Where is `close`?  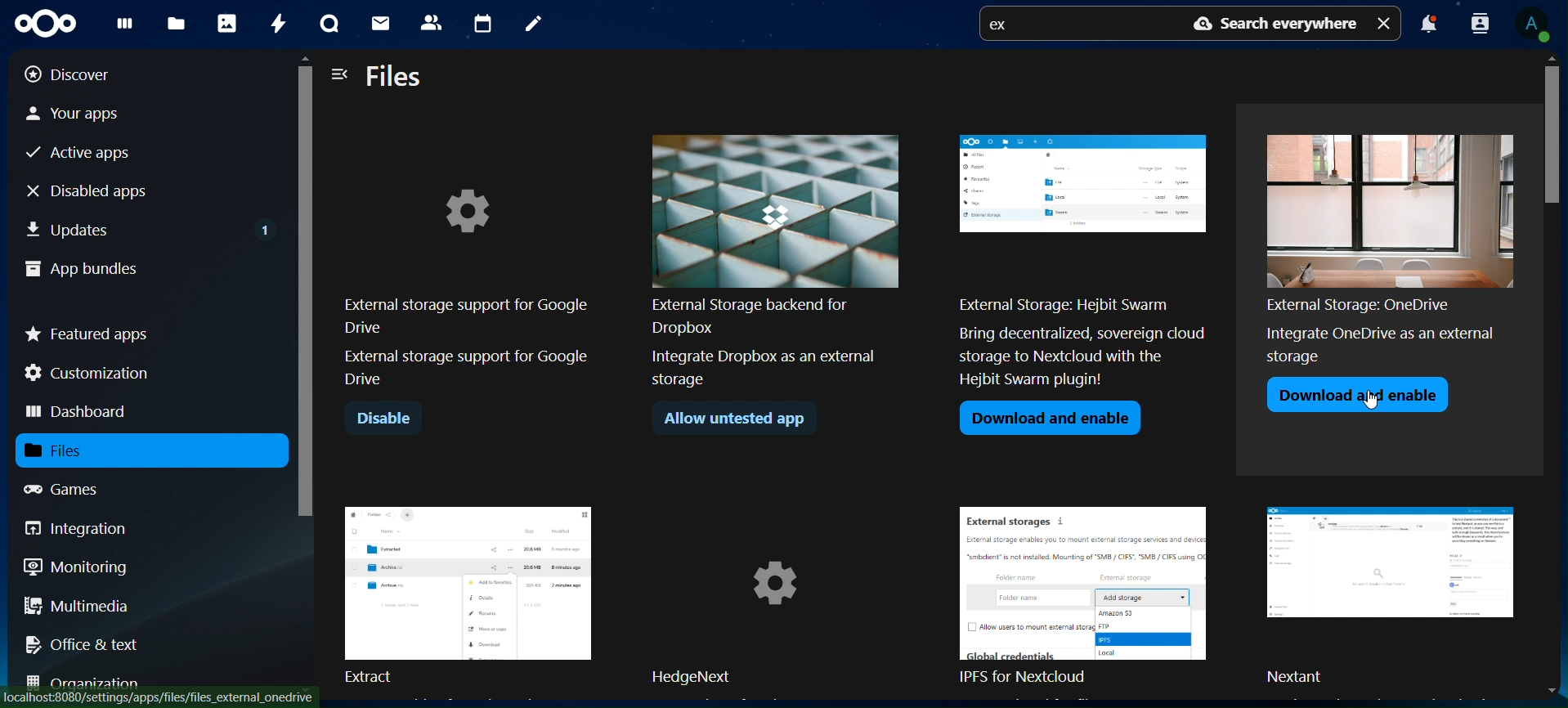 close is located at coordinates (1386, 22).